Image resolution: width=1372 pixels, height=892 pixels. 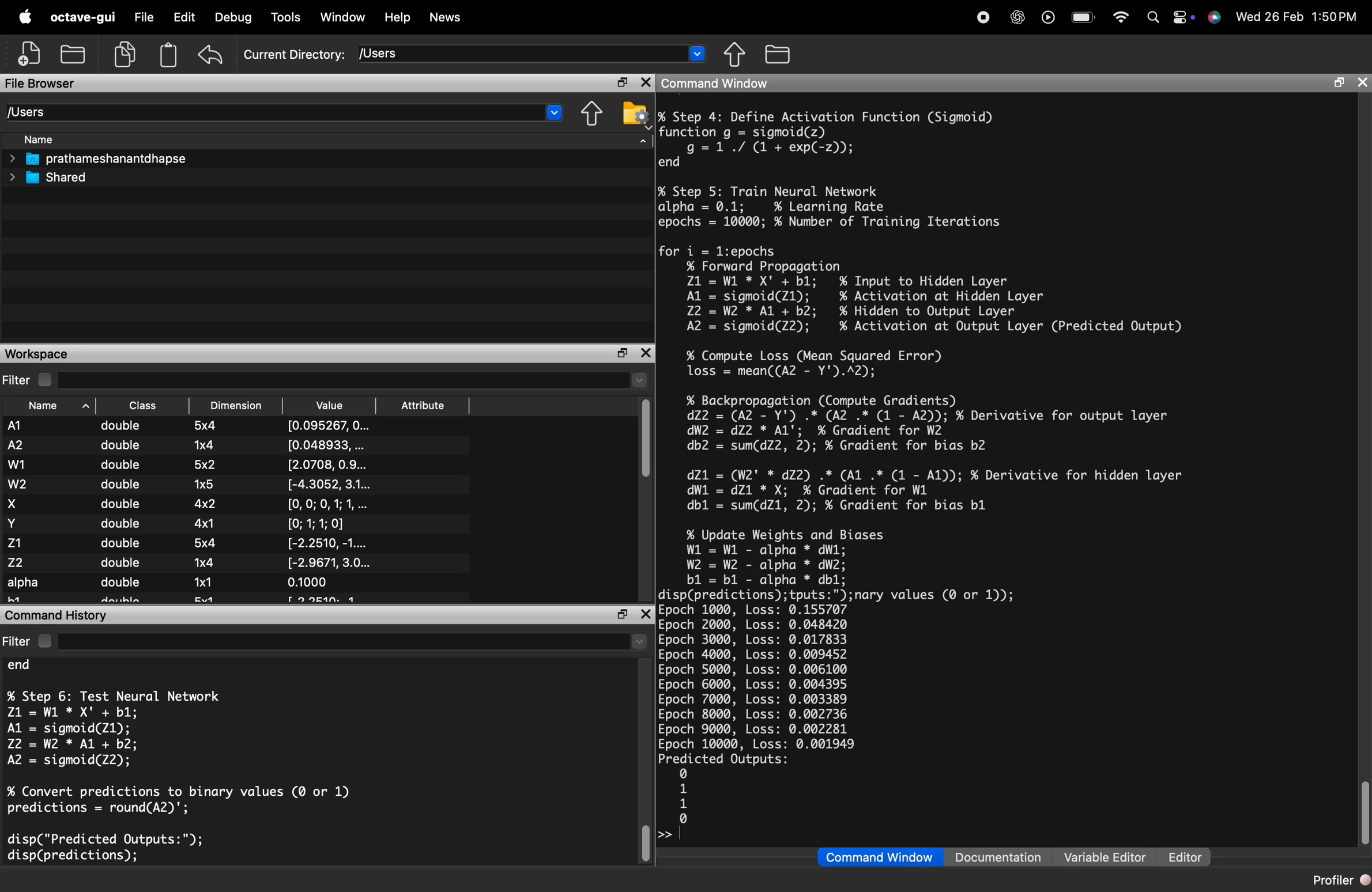 What do you see at coordinates (622, 615) in the screenshot?
I see `Maximize` at bounding box center [622, 615].